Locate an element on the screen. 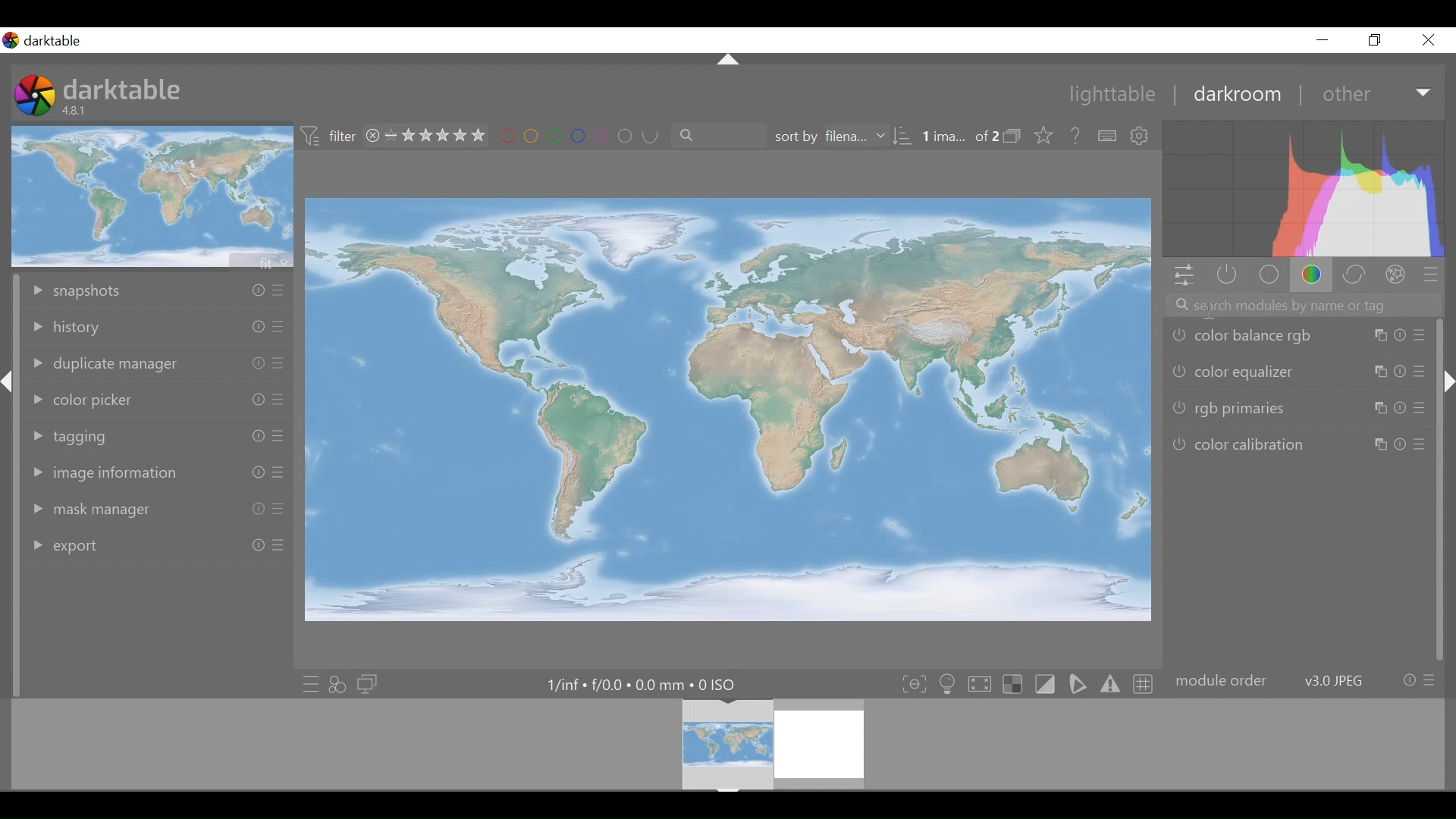 The width and height of the screenshot is (1456, 819). preset is located at coordinates (1430, 679).